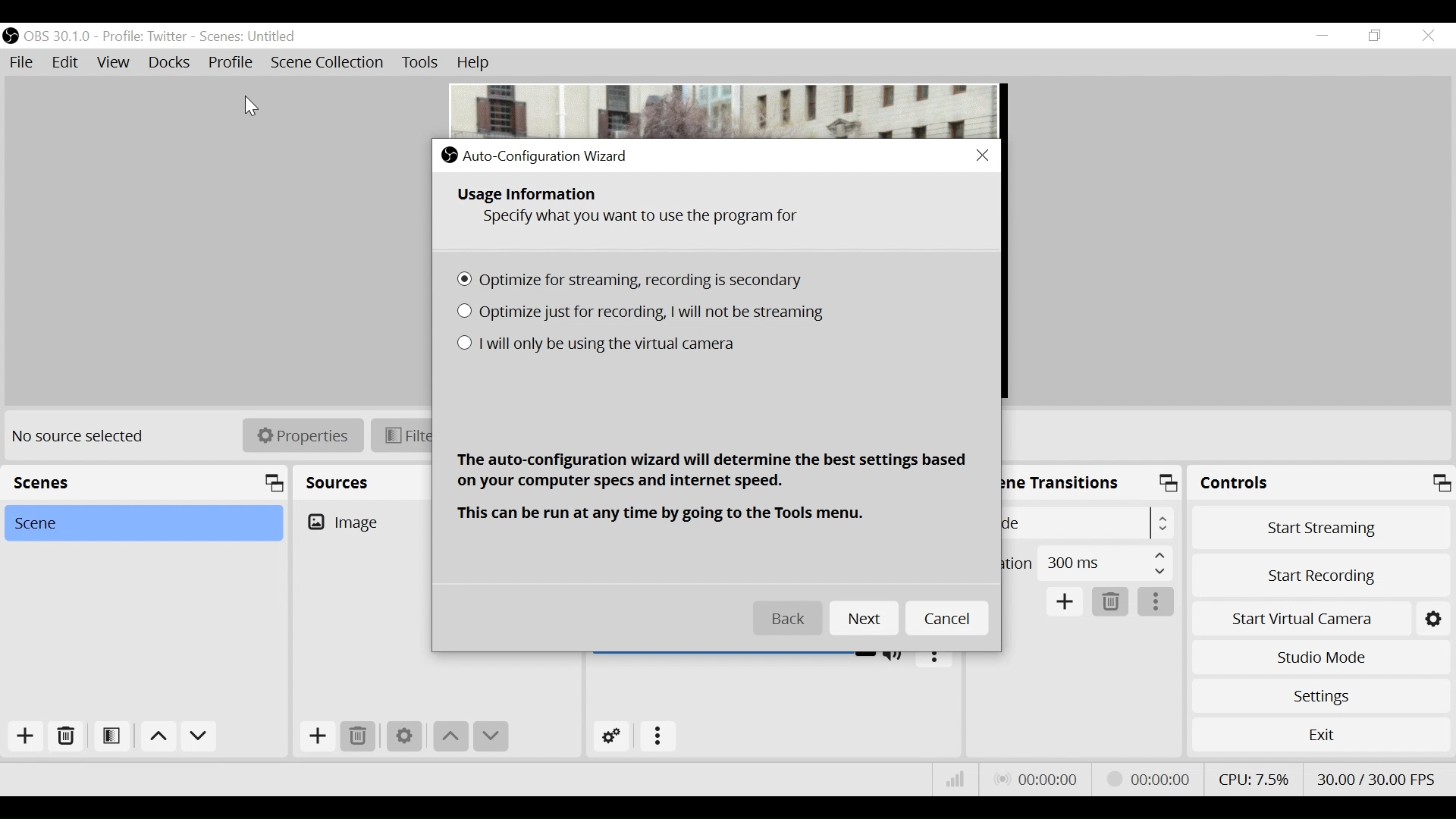  What do you see at coordinates (981, 155) in the screenshot?
I see `Close` at bounding box center [981, 155].